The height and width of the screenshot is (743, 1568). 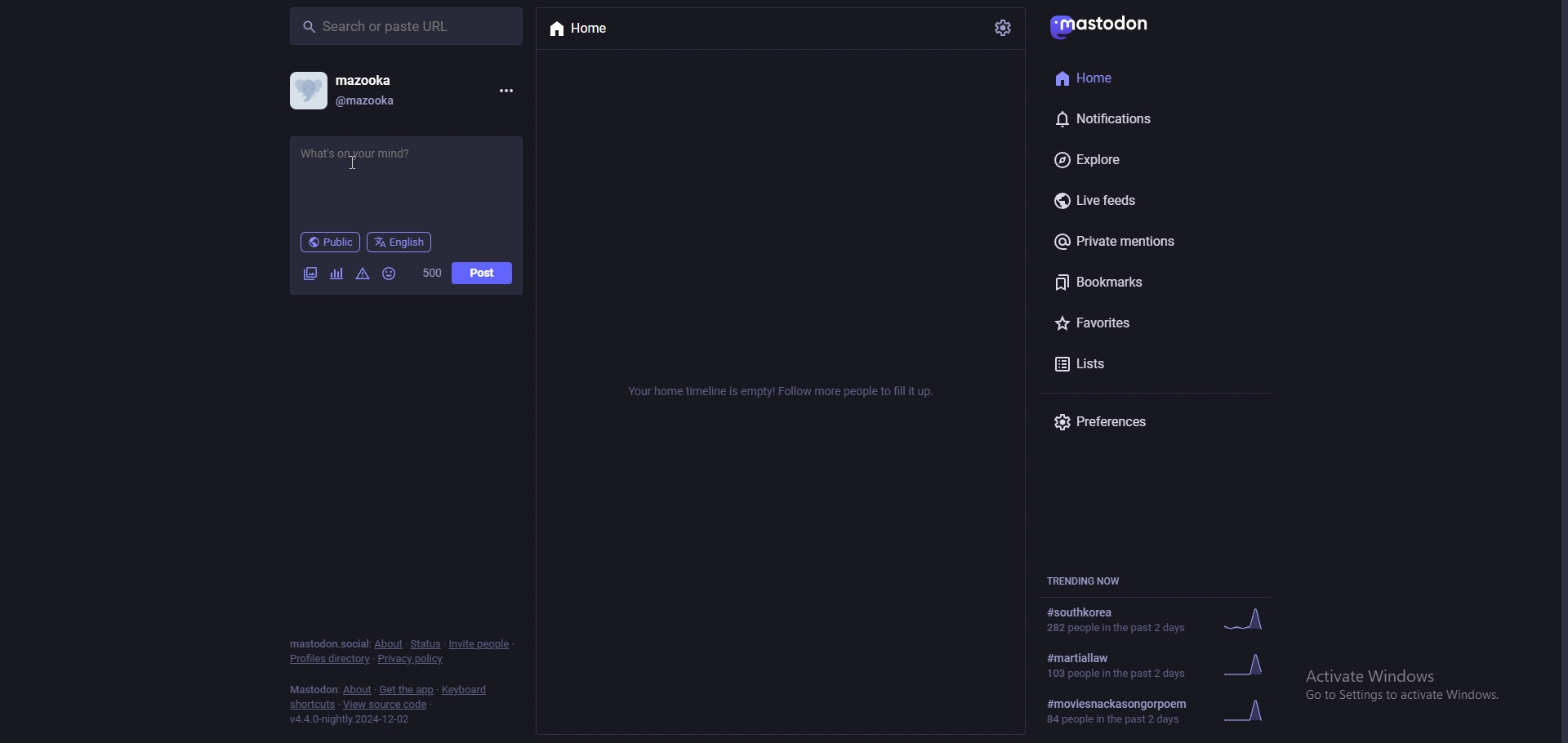 I want to click on View source code, so click(x=390, y=705).